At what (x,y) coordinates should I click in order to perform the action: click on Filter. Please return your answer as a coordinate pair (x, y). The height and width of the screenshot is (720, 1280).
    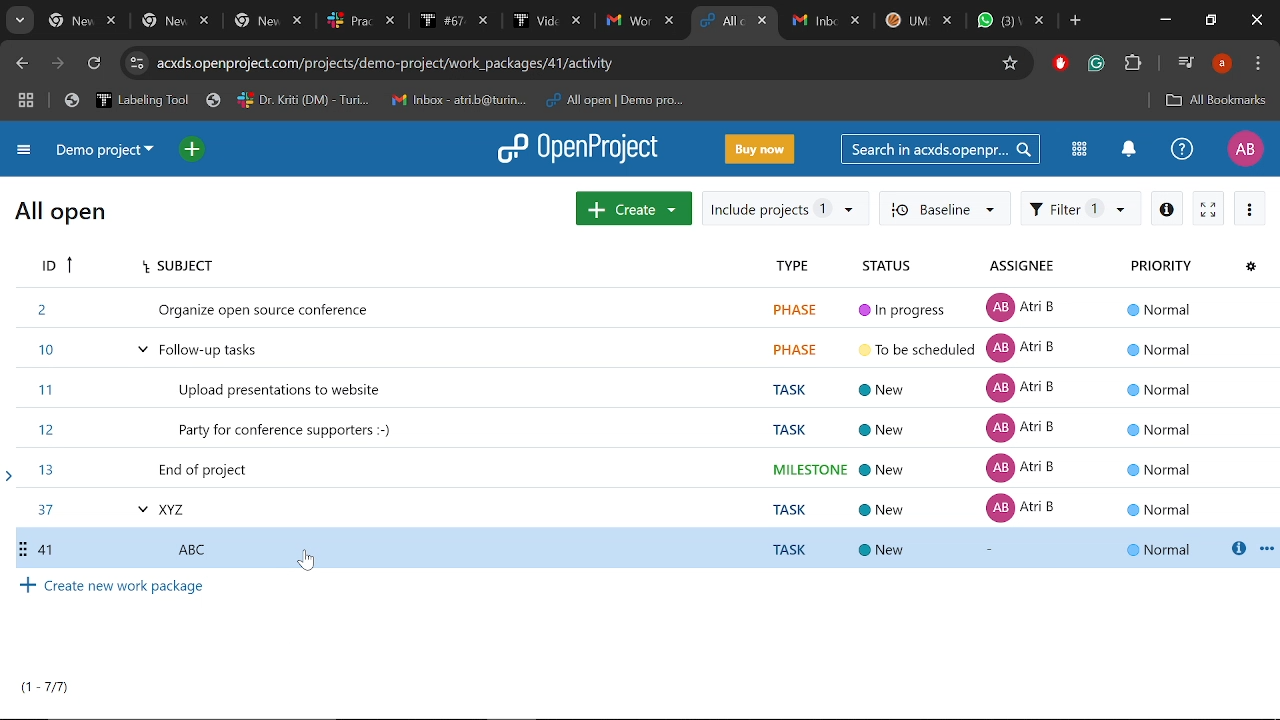
    Looking at the image, I should click on (1081, 207).